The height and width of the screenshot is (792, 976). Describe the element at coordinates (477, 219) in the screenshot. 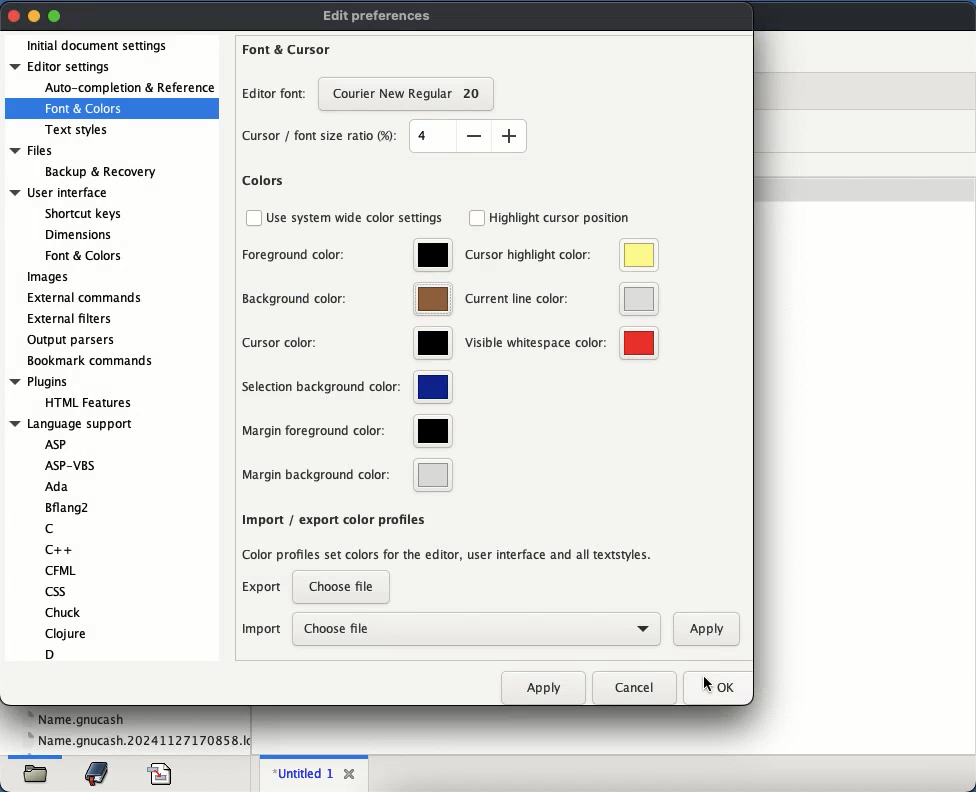

I see `checkbox` at that location.